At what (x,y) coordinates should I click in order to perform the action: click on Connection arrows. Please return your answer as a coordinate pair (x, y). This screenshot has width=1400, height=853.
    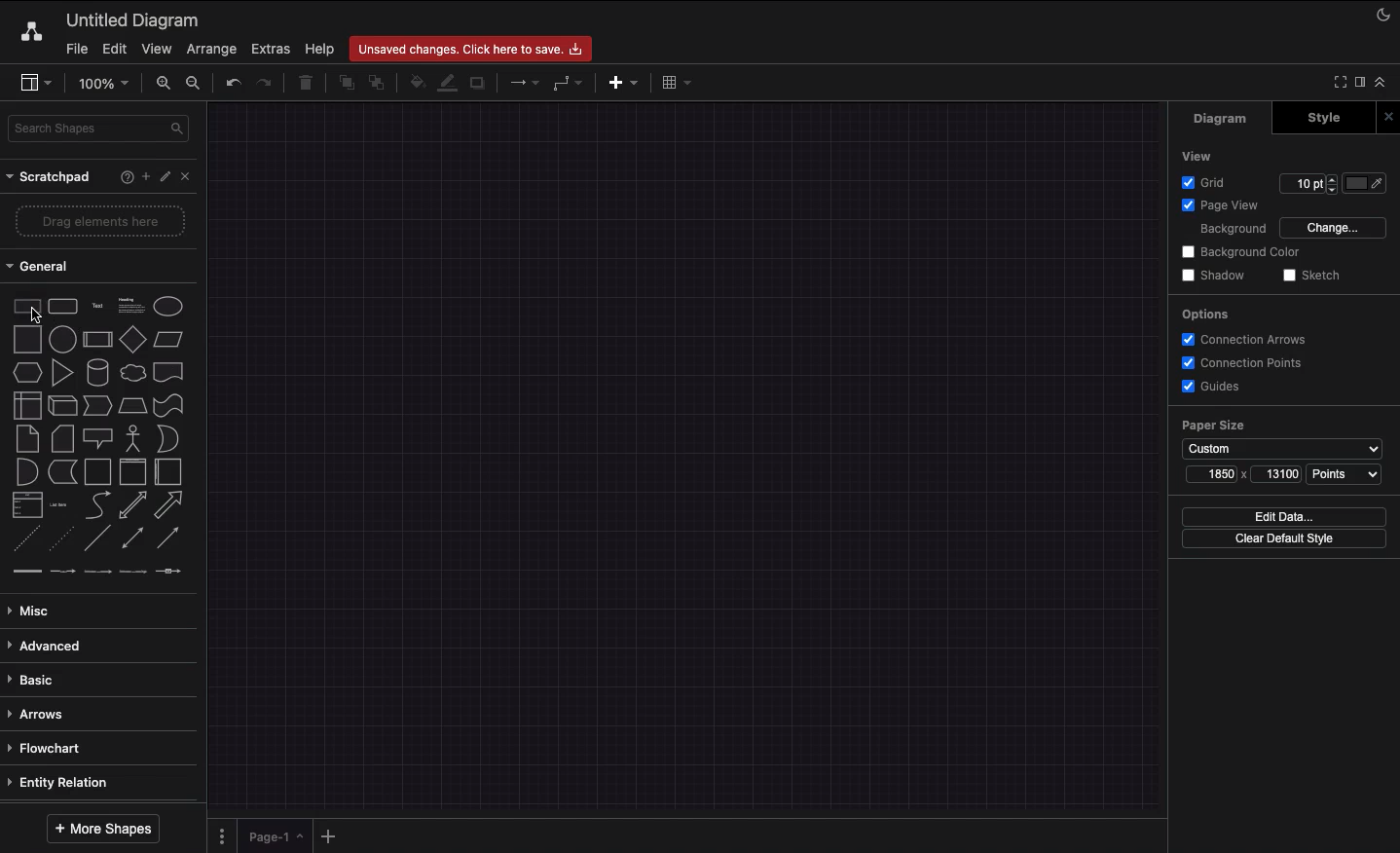
    Looking at the image, I should click on (1247, 340).